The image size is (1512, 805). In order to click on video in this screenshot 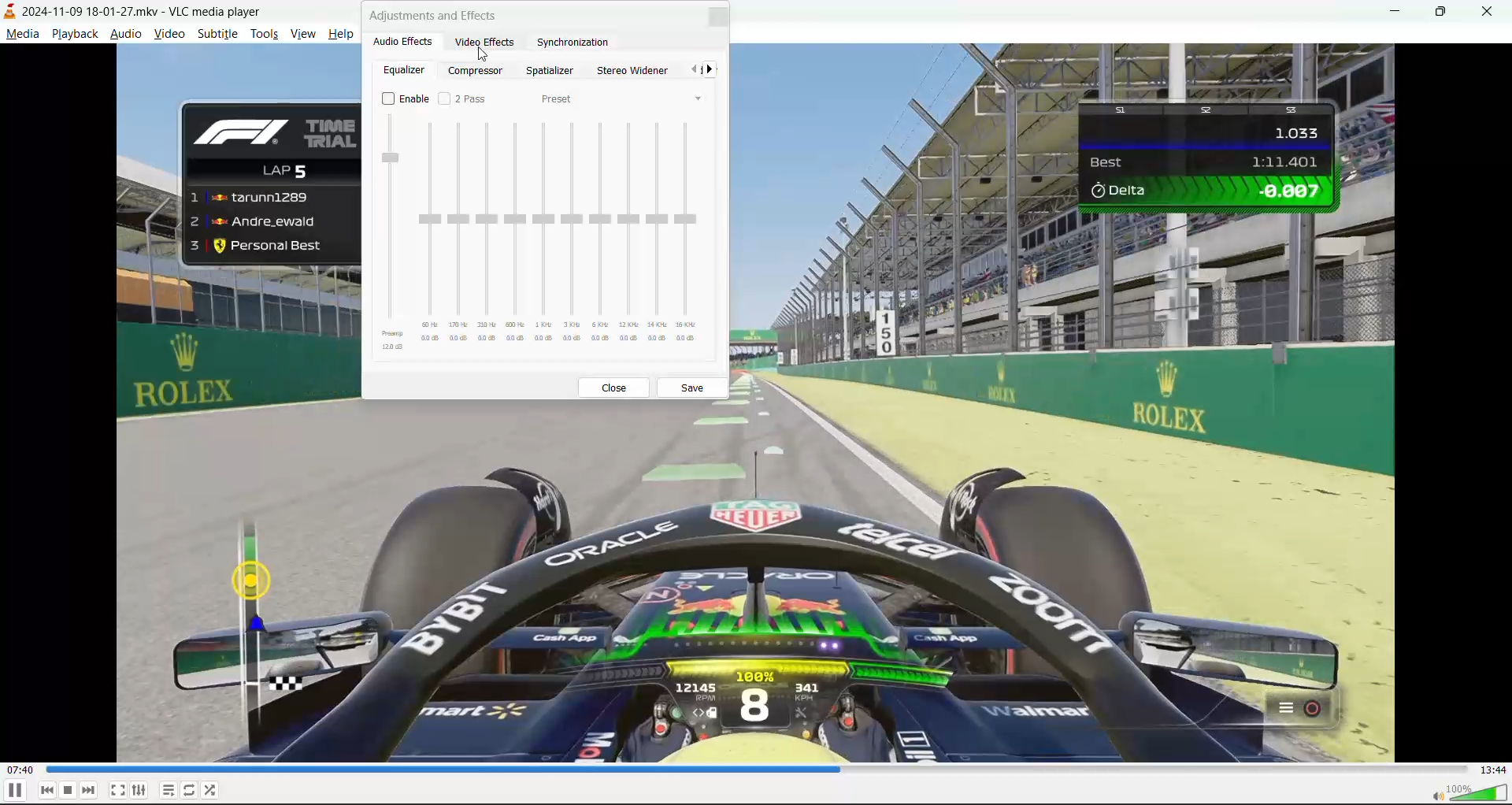, I will do `click(169, 34)`.